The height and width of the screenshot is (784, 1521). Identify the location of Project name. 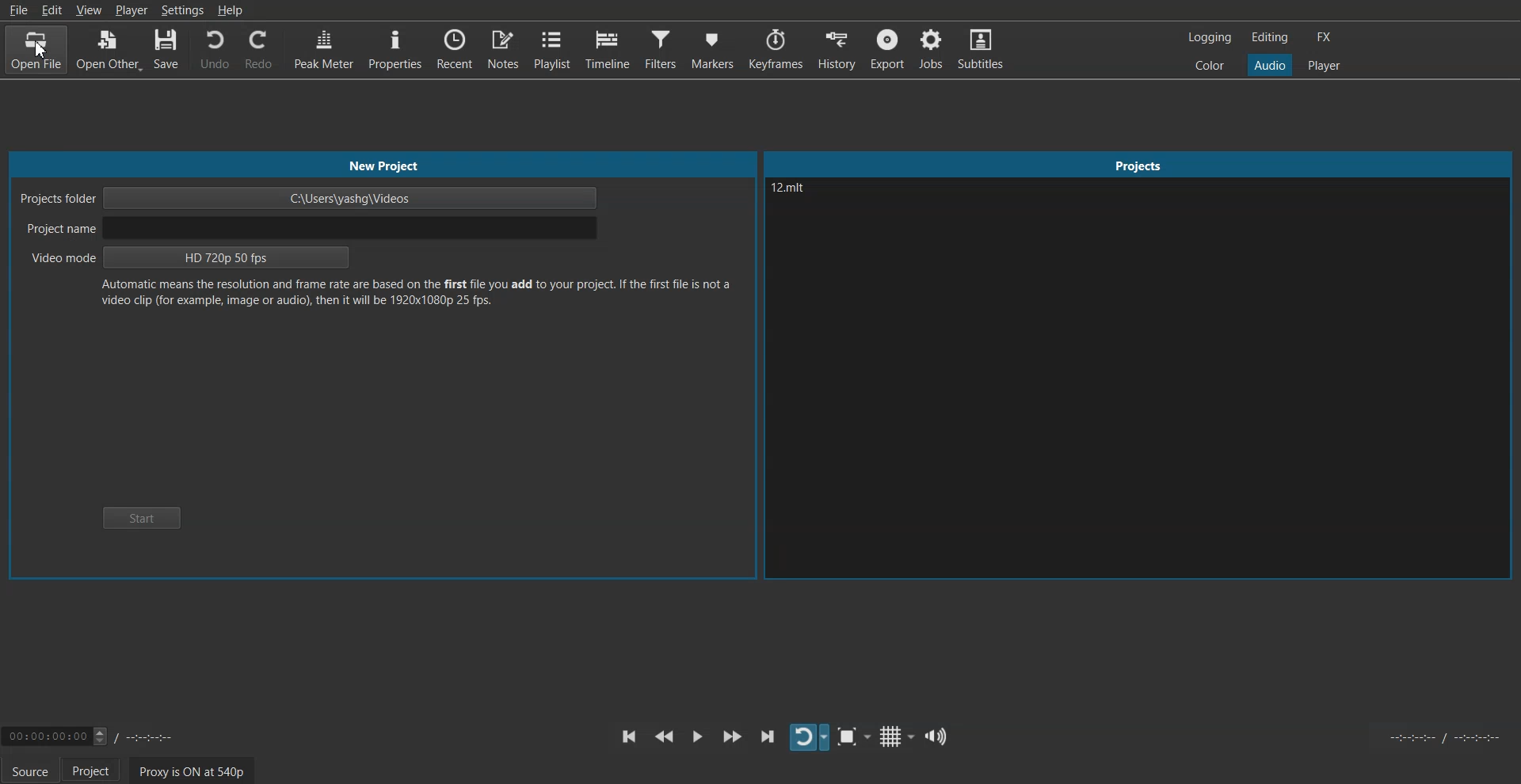
(313, 229).